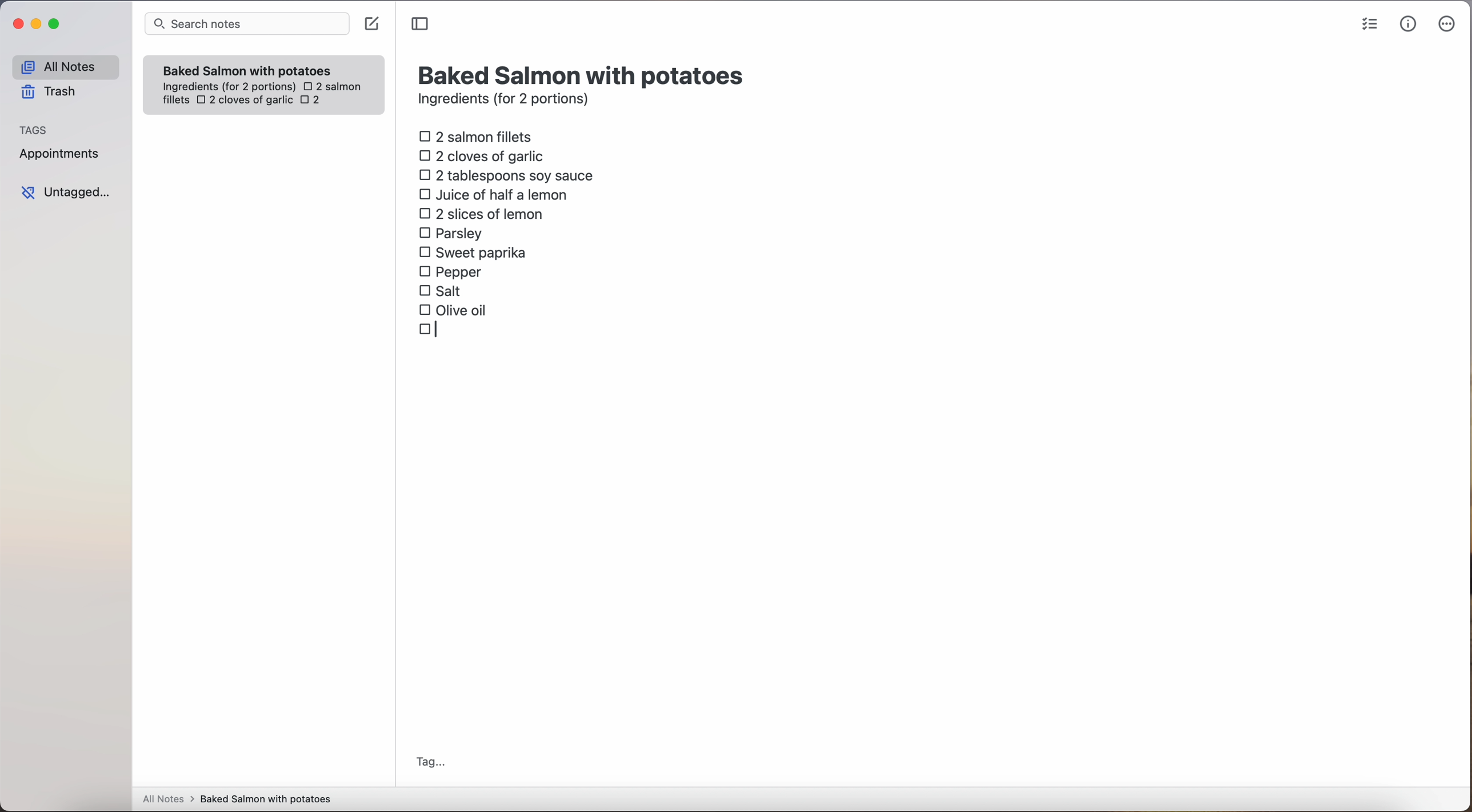  I want to click on checkbox, so click(430, 331).